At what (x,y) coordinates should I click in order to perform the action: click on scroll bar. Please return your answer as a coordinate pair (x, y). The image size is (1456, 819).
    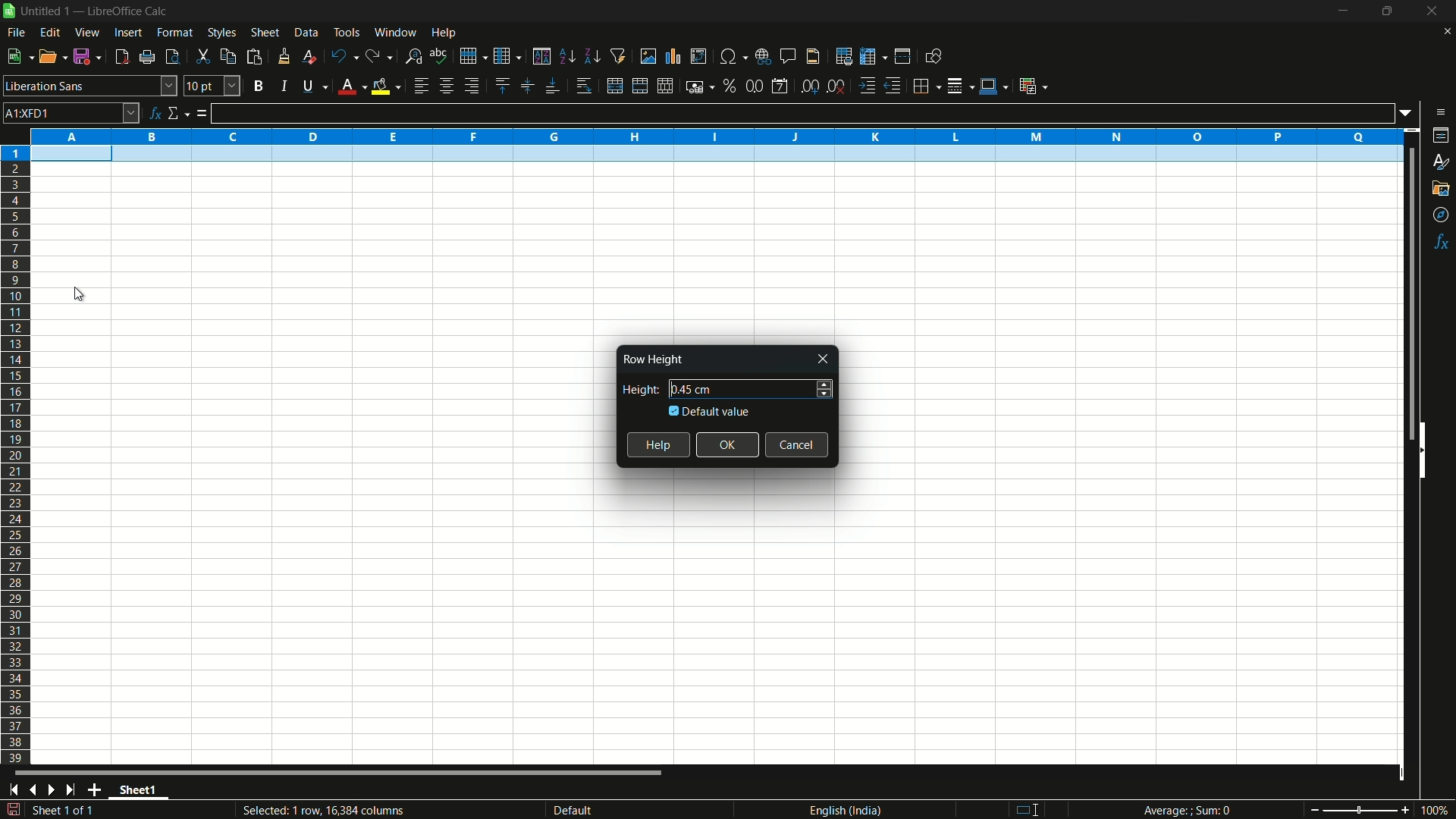
    Looking at the image, I should click on (340, 775).